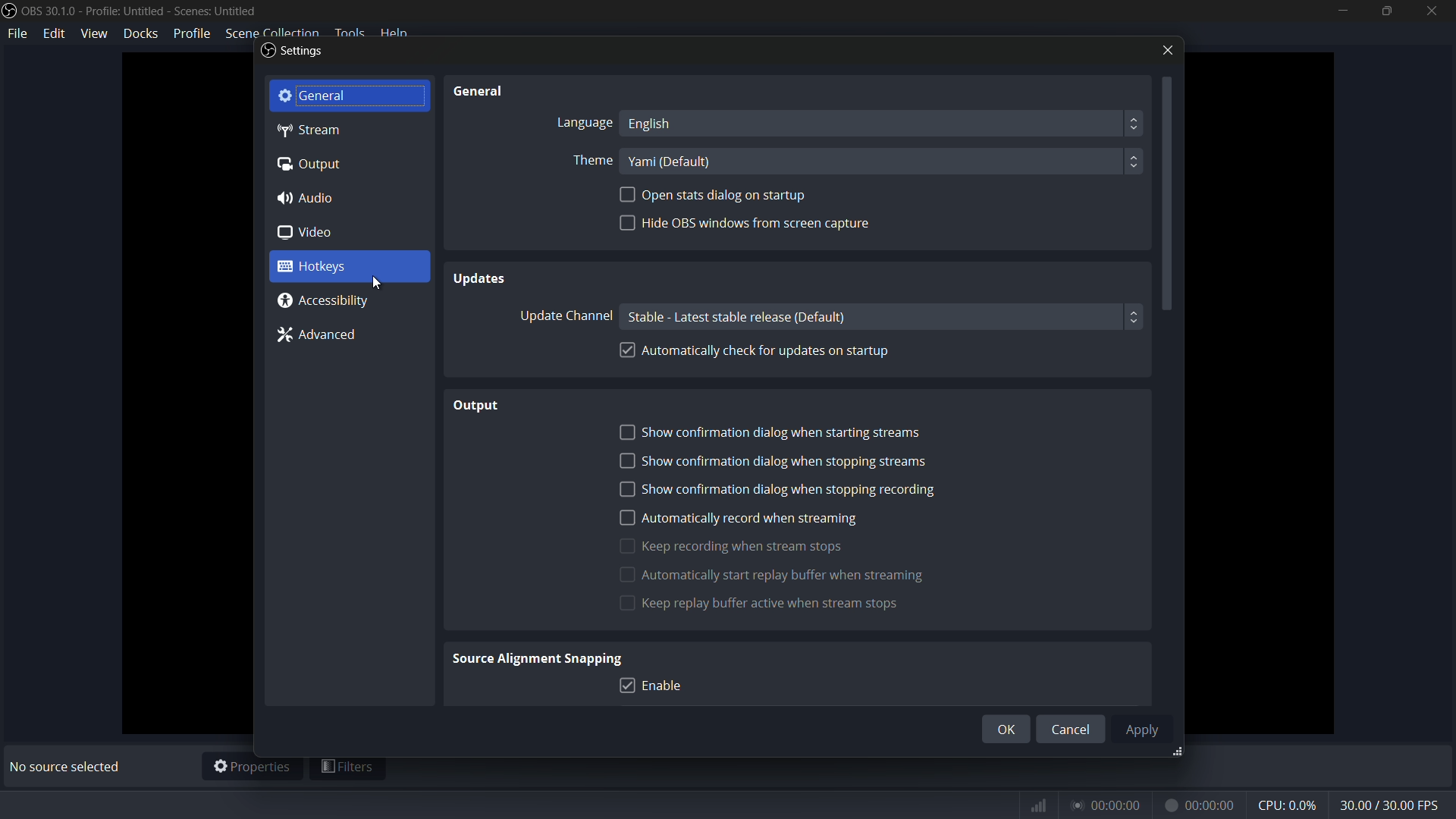  What do you see at coordinates (94, 33) in the screenshot?
I see `view menu` at bounding box center [94, 33].